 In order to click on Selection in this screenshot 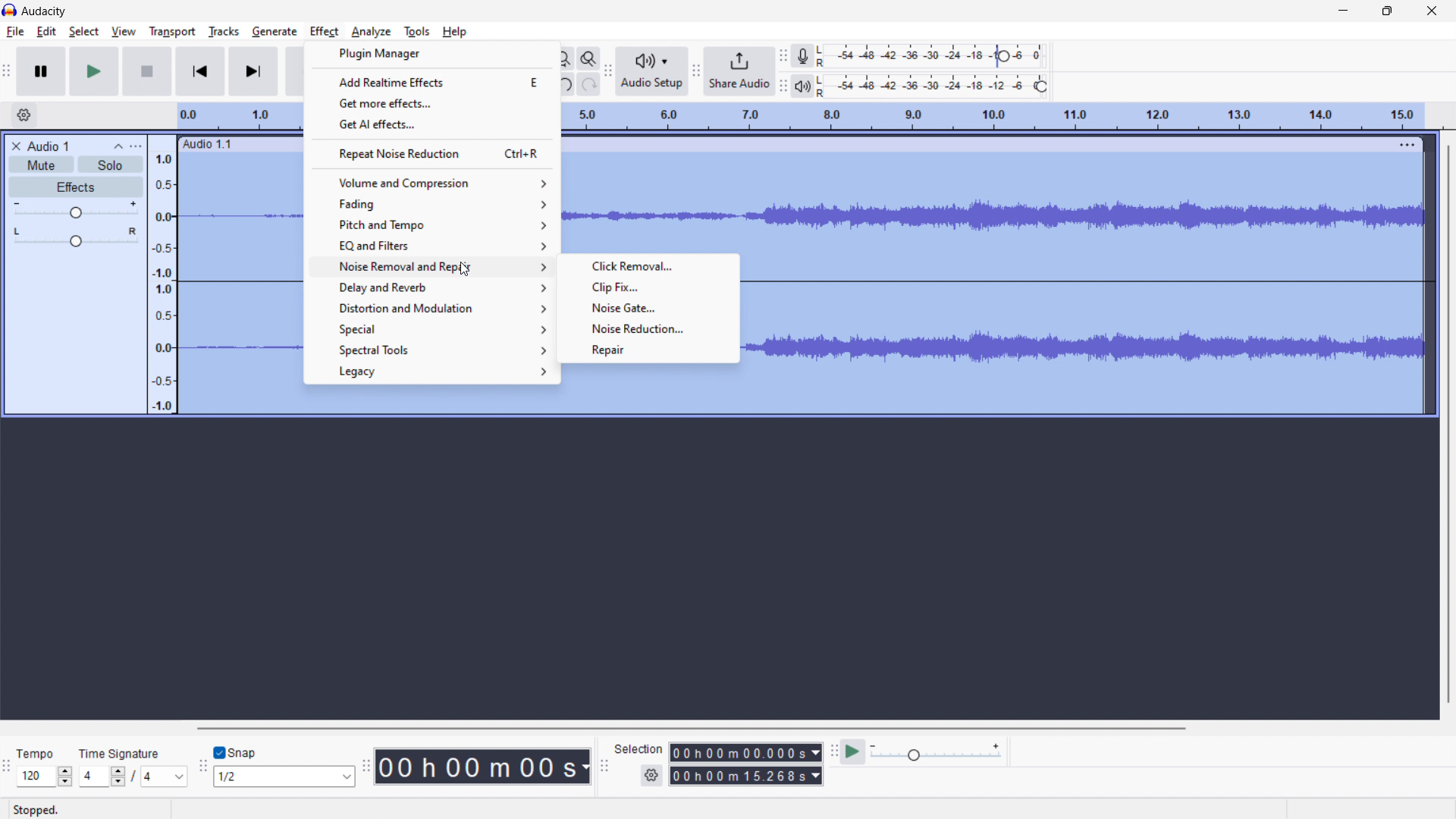, I will do `click(639, 749)`.